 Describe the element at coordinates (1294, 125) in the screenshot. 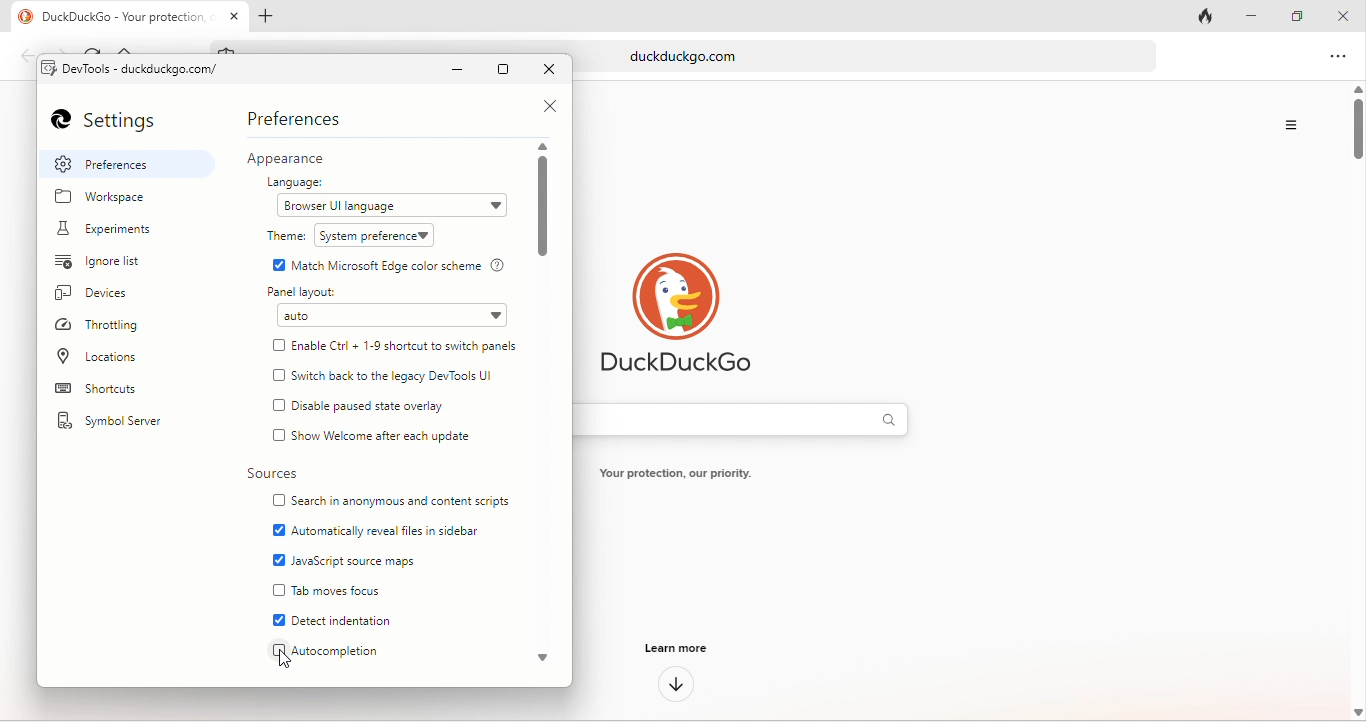

I see `option` at that location.